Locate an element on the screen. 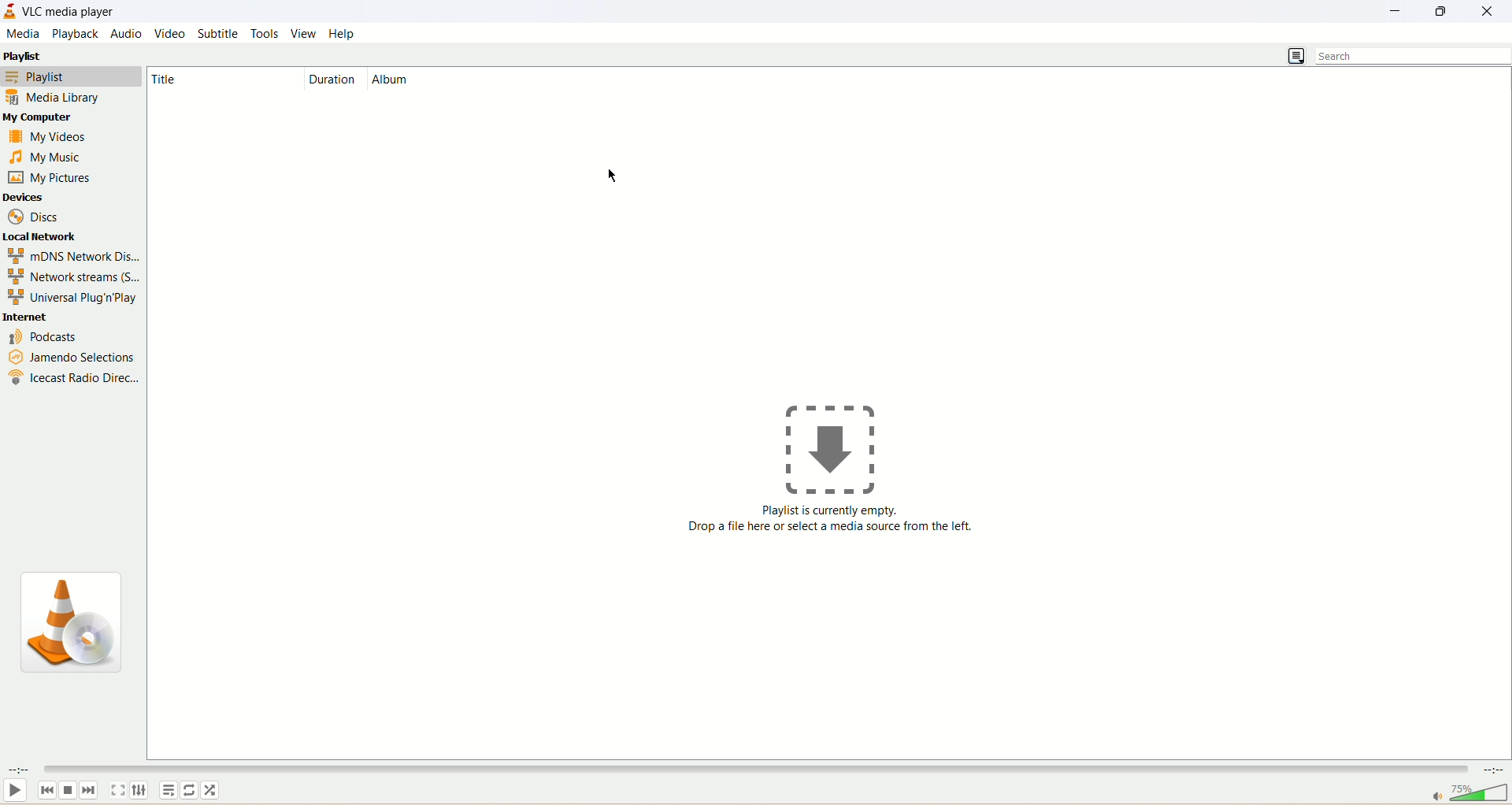 This screenshot has width=1512, height=805. Playlist is currently empty. Drop a file tree or select a media source from the left is located at coordinates (836, 526).